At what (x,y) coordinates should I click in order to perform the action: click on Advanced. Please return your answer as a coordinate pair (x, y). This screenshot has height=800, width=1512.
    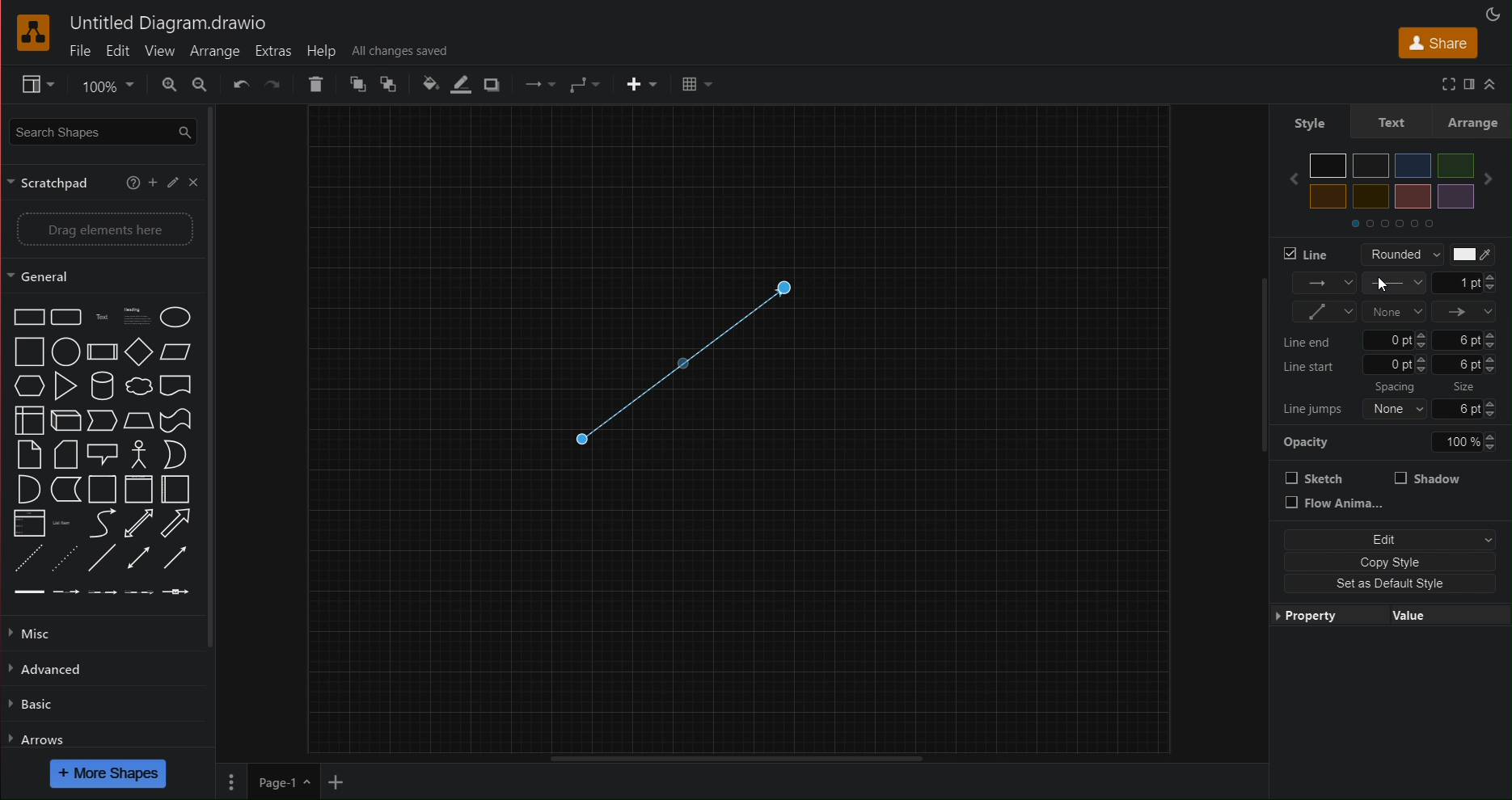
    Looking at the image, I should click on (50, 669).